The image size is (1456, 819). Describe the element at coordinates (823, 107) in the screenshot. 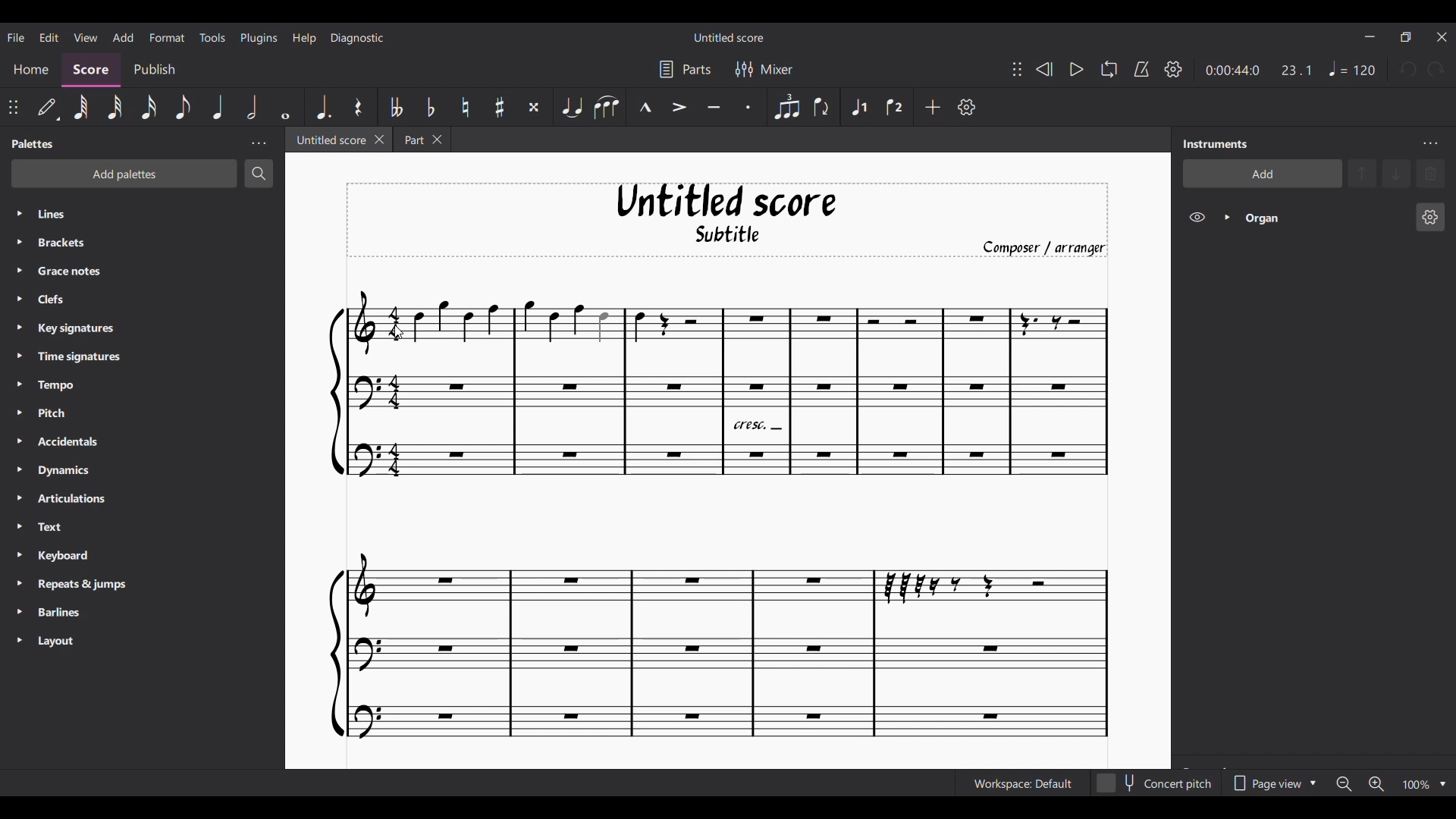

I see `Flip direction` at that location.